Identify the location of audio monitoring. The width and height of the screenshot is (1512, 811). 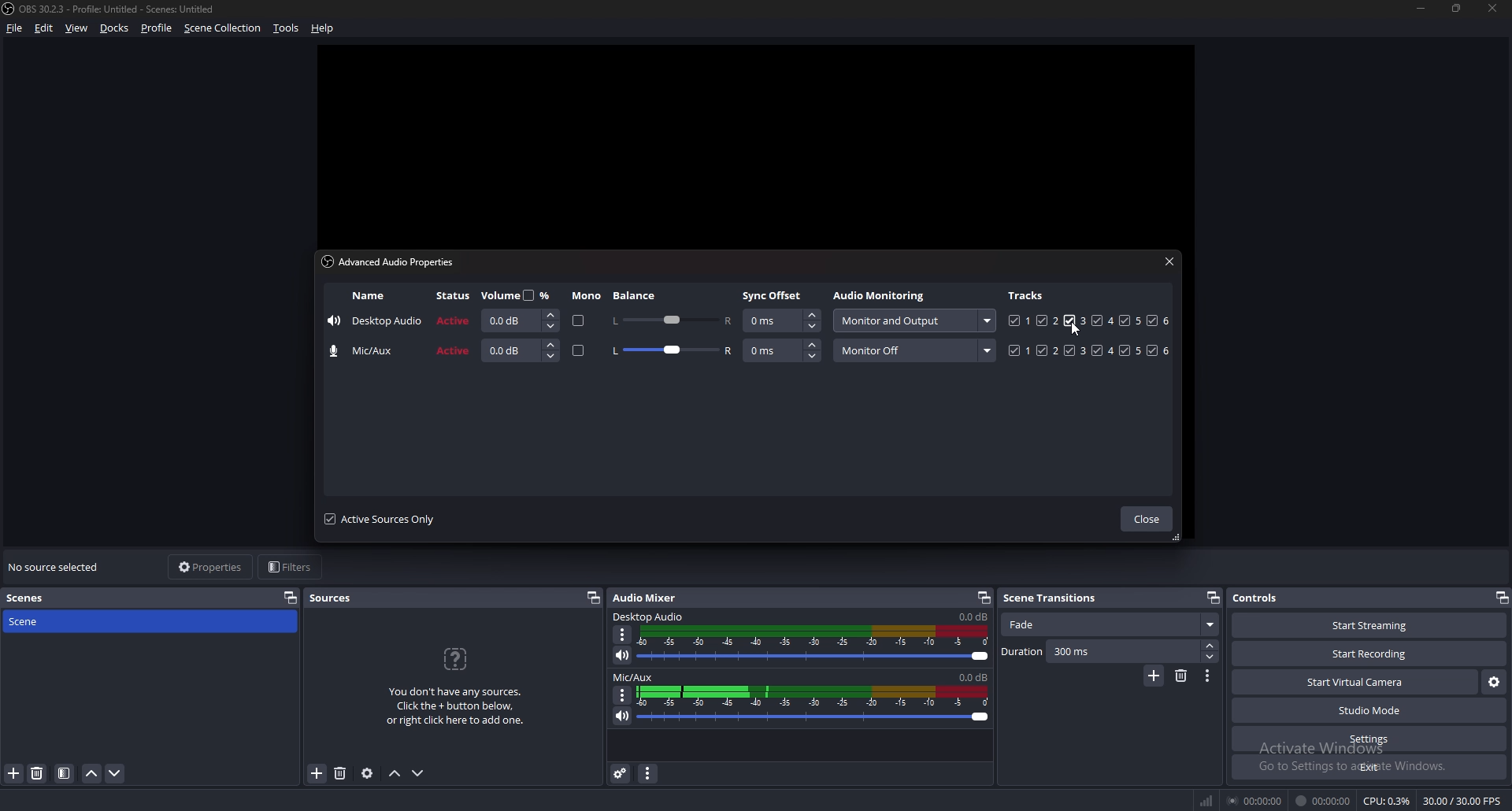
(913, 320).